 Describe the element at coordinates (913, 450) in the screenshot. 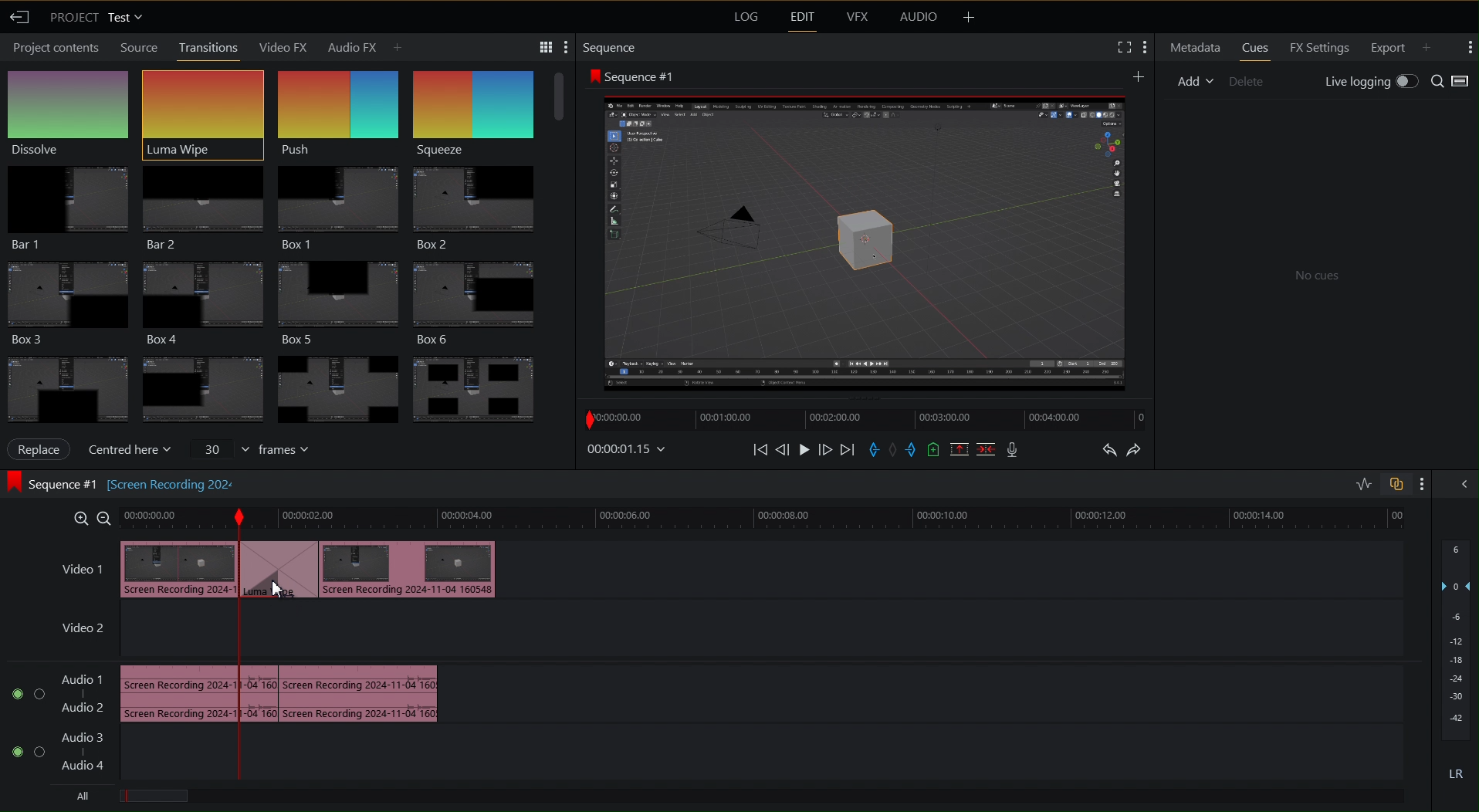

I see `Exit Marker` at that location.